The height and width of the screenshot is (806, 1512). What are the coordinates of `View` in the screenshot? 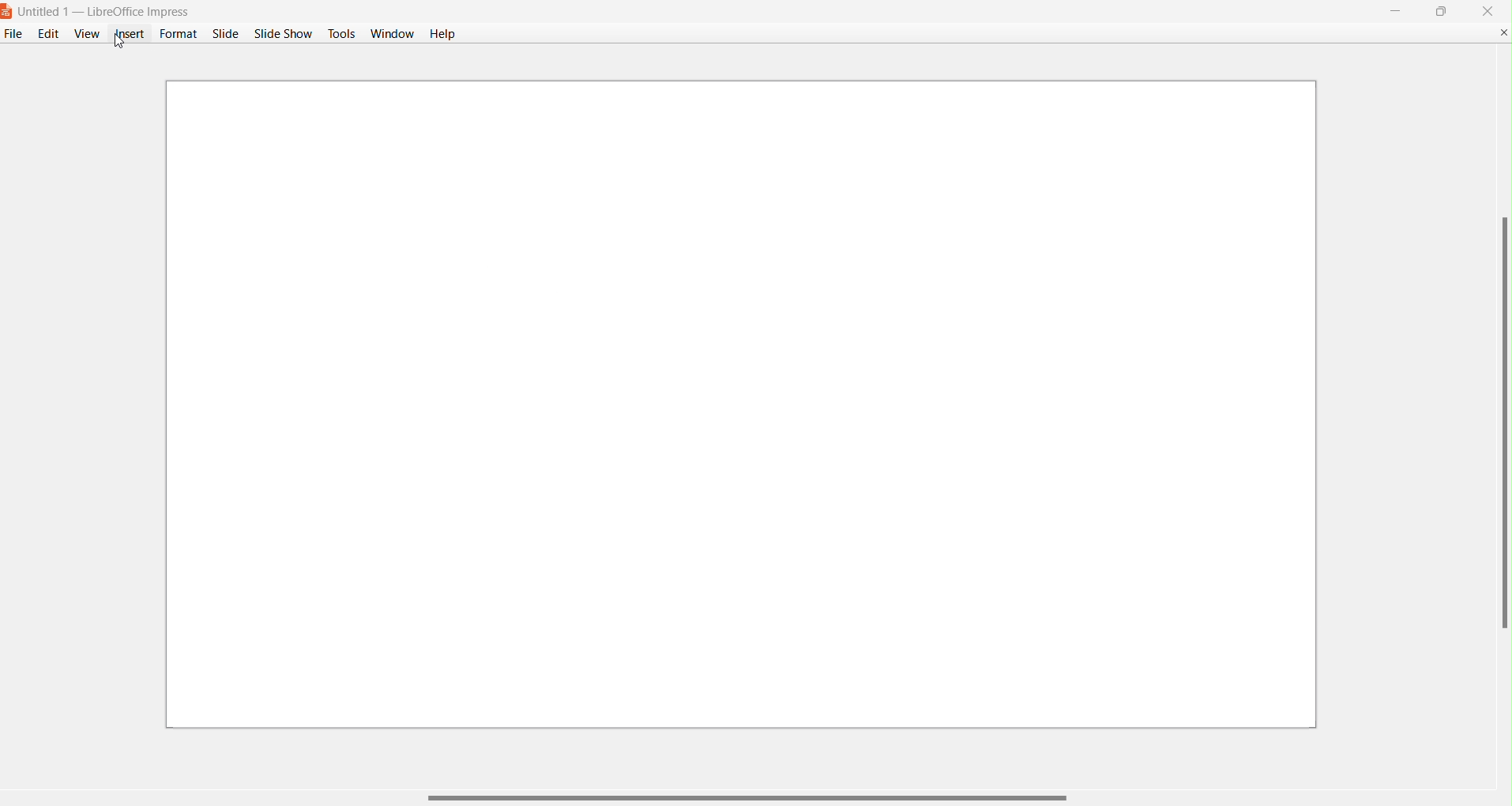 It's located at (86, 33).